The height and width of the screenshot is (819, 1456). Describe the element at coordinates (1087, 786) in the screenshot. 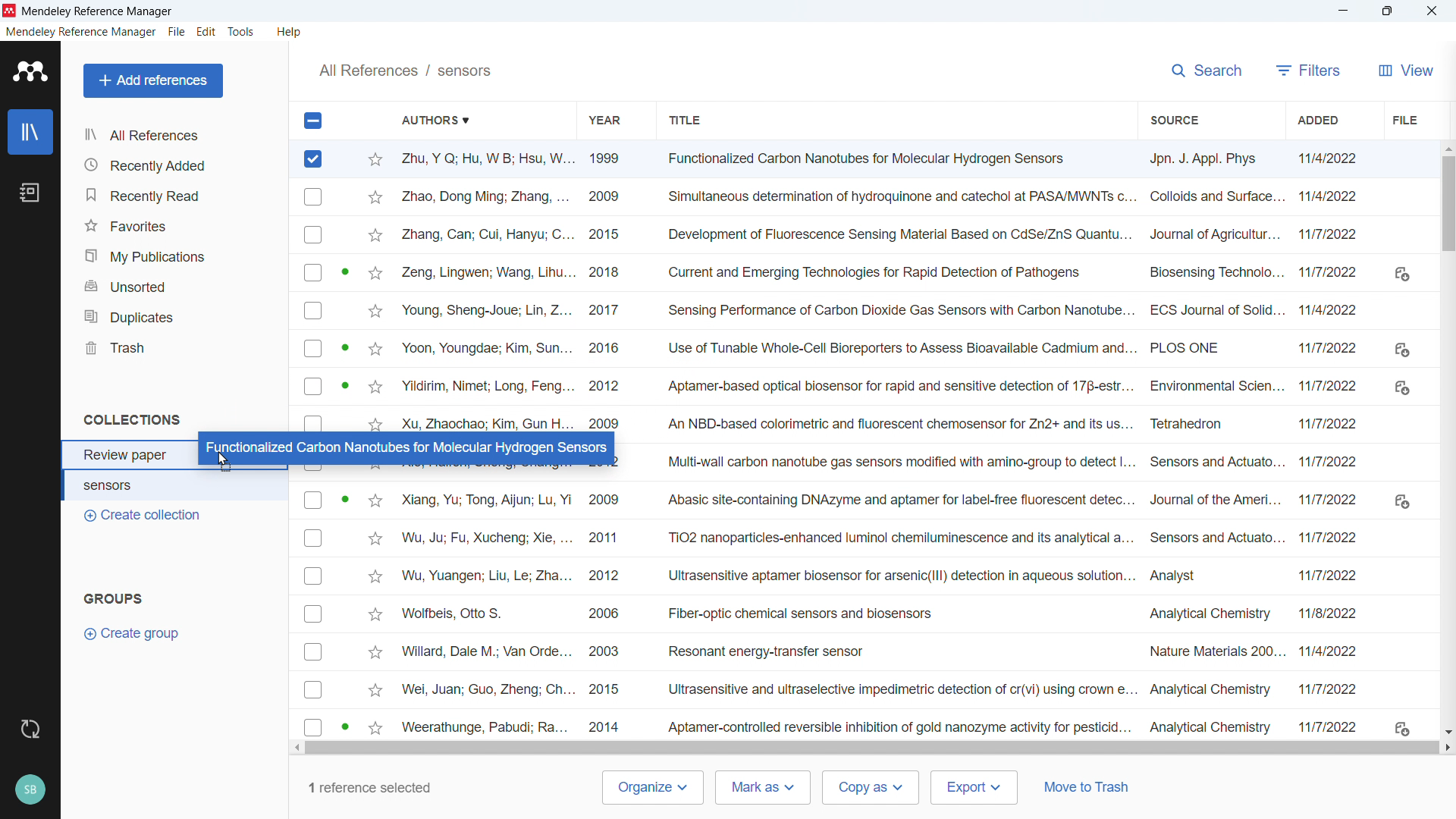

I see `Move to trash` at that location.